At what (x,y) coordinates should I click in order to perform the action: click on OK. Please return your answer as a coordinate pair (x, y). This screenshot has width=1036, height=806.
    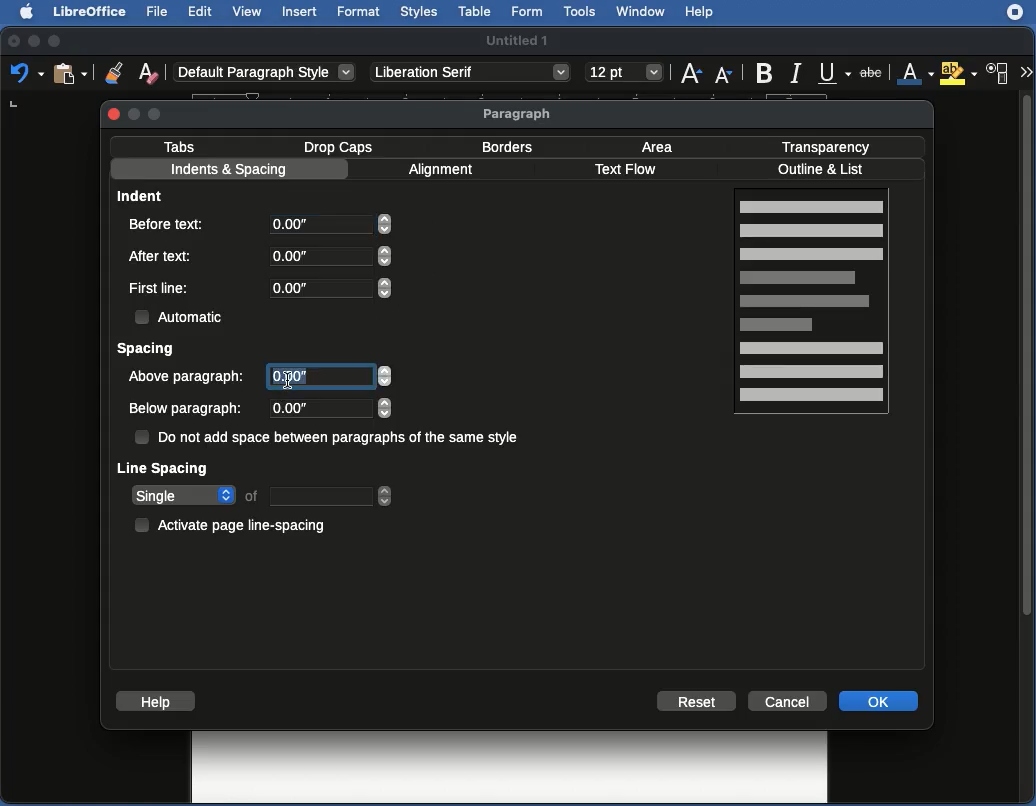
    Looking at the image, I should click on (881, 701).